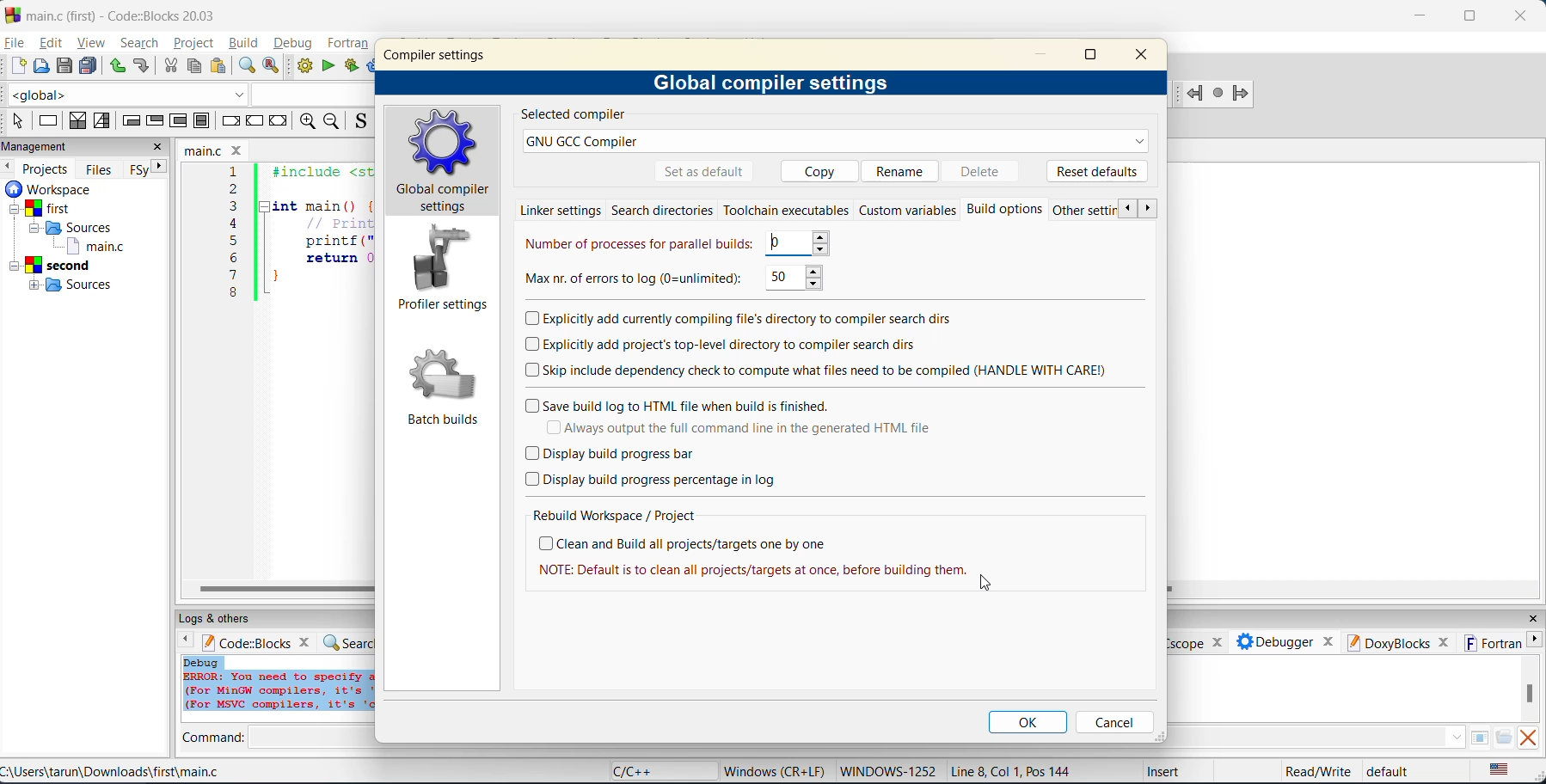 The height and width of the screenshot is (784, 1546). What do you see at coordinates (690, 543) in the screenshot?
I see `clean and build all projects/targets one by one` at bounding box center [690, 543].